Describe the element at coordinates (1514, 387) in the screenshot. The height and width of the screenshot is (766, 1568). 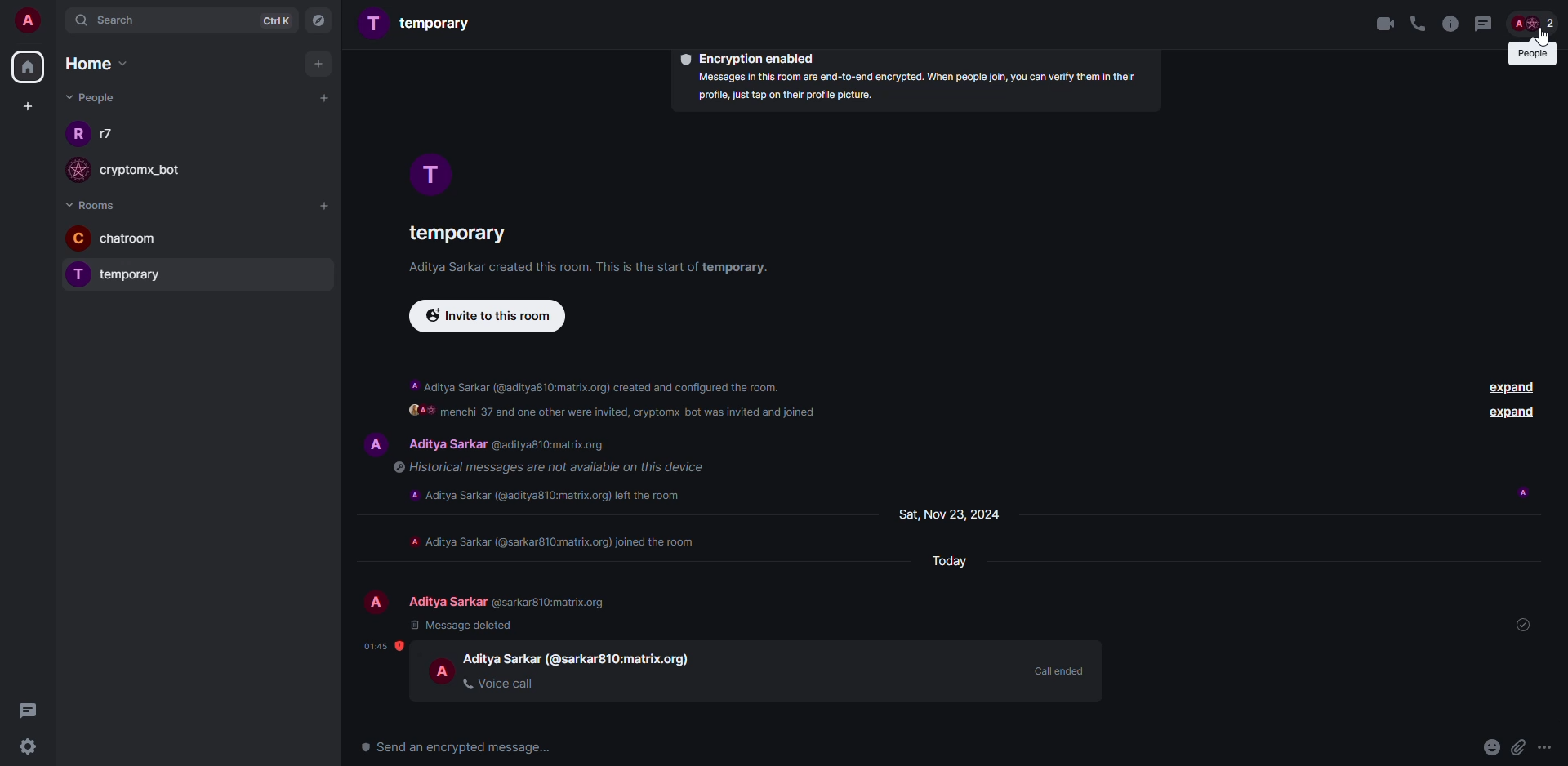
I see `expand` at that location.